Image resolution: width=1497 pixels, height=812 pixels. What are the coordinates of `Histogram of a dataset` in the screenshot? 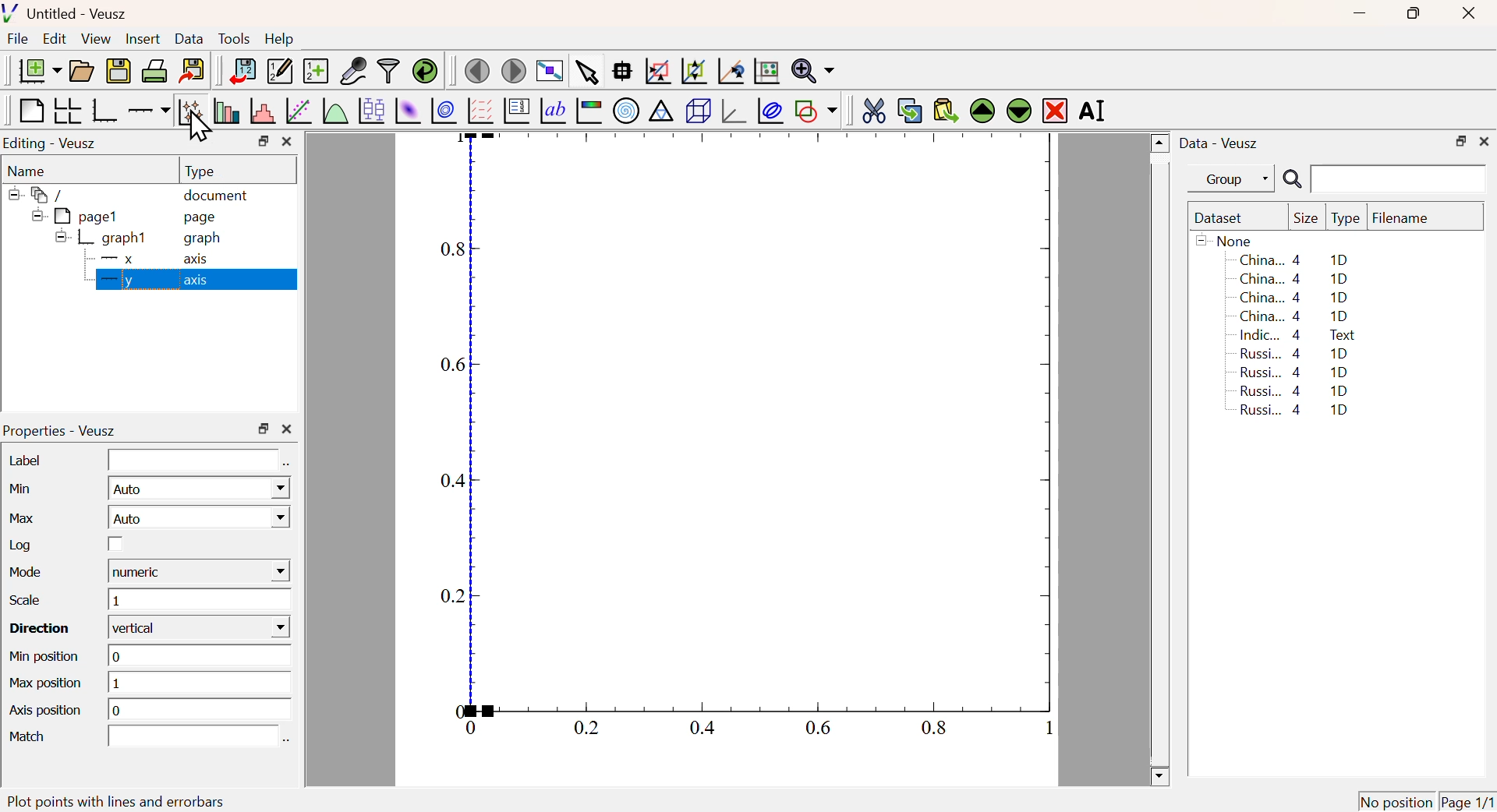 It's located at (263, 111).